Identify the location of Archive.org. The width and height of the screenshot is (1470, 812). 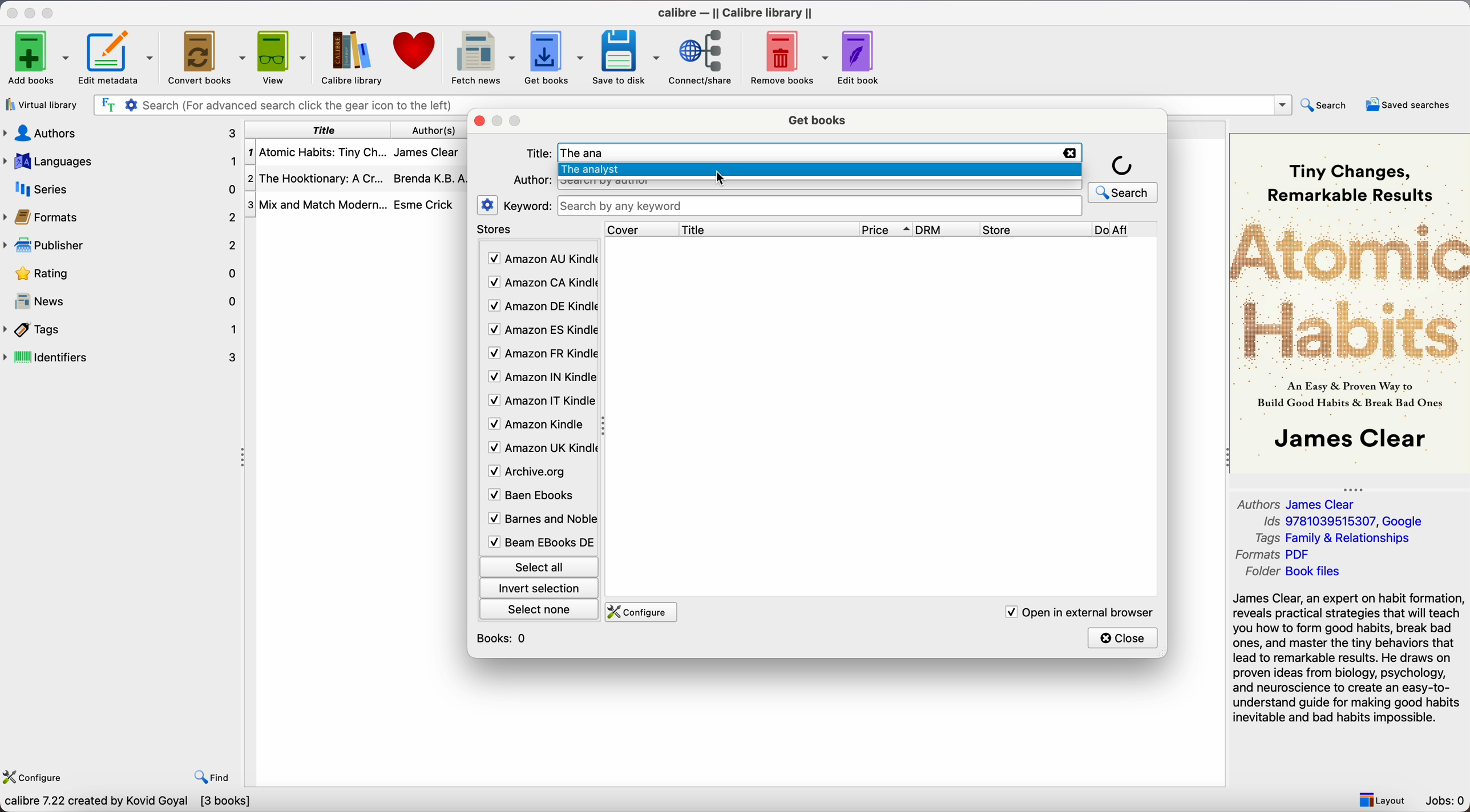
(538, 472).